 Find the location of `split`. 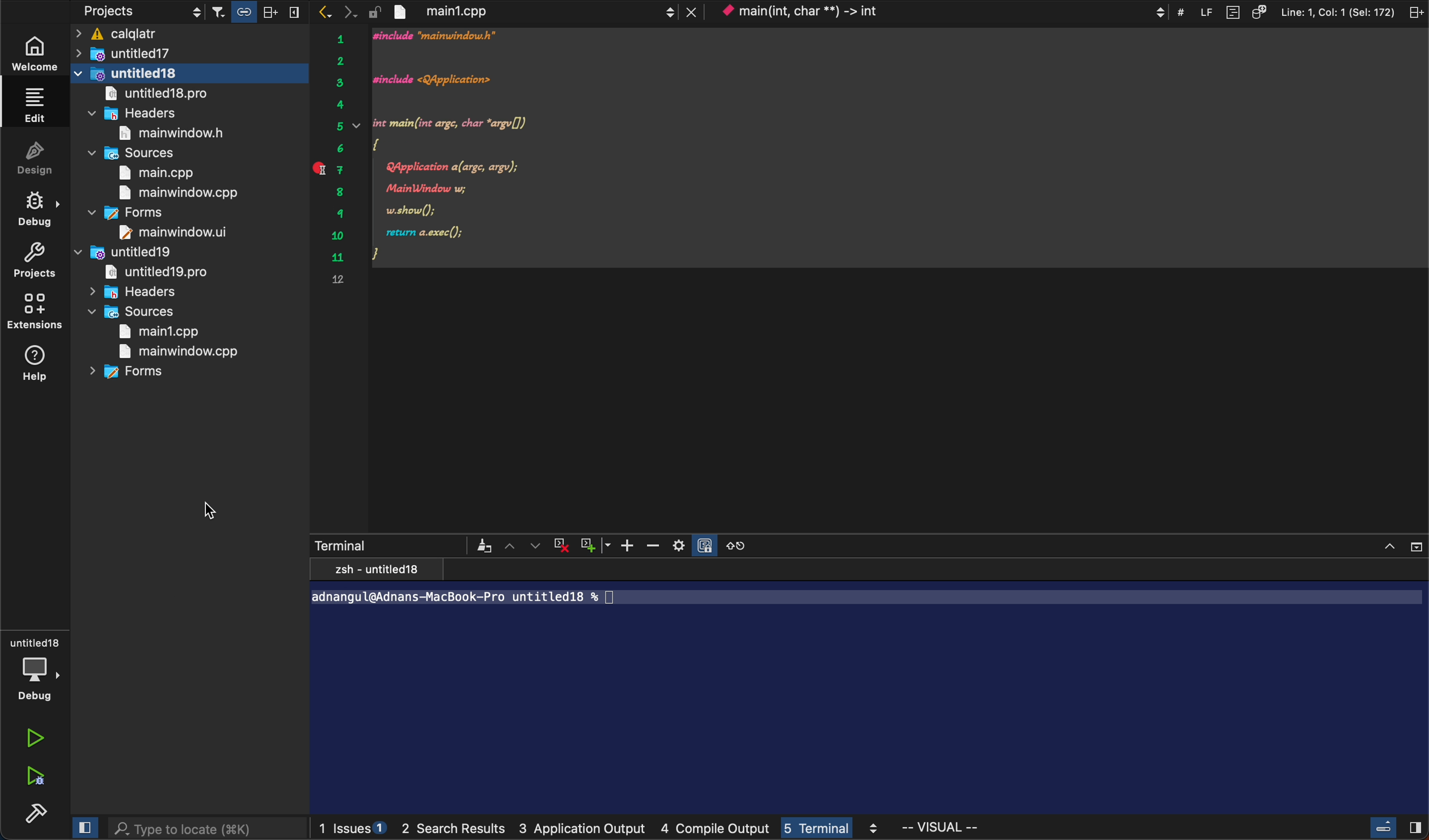

split is located at coordinates (1415, 12).